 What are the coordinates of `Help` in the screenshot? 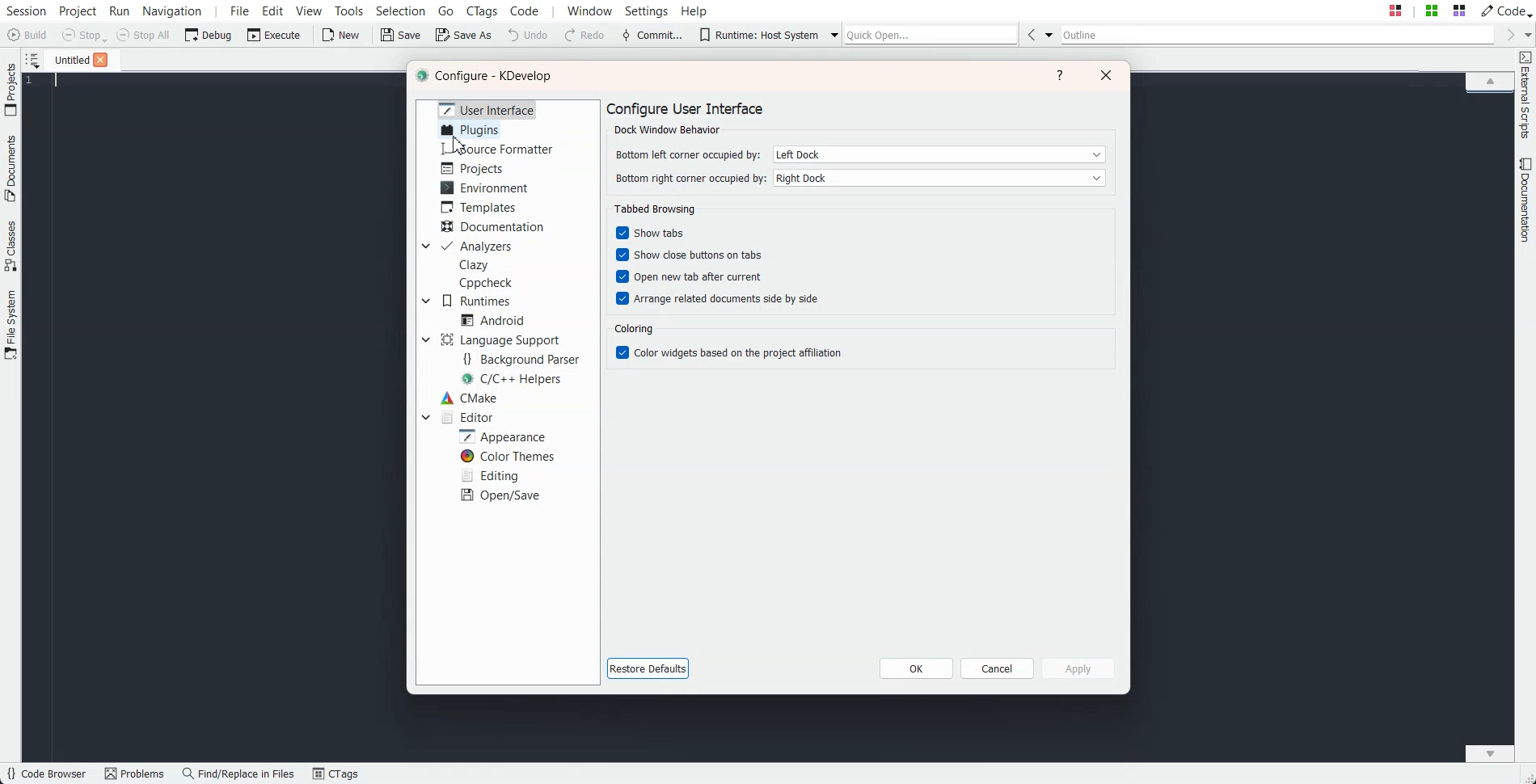 It's located at (694, 10).